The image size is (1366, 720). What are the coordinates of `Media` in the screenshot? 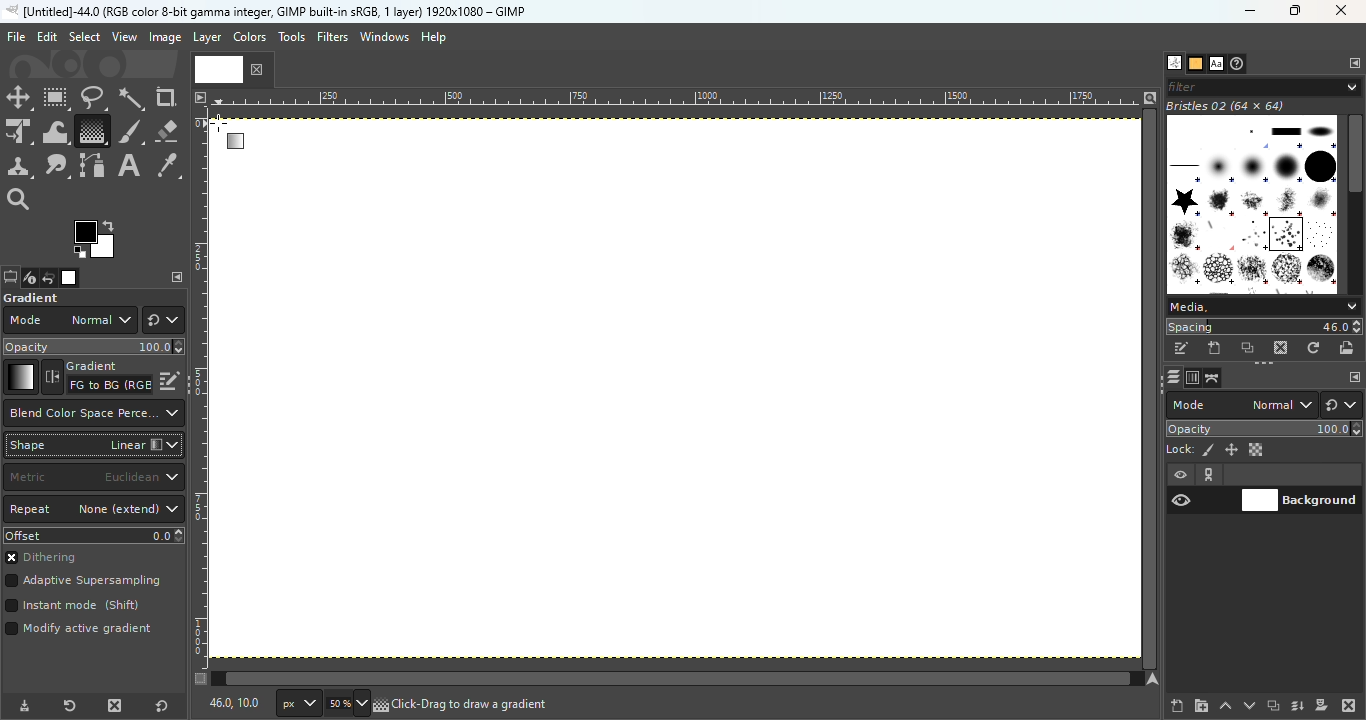 It's located at (1262, 307).